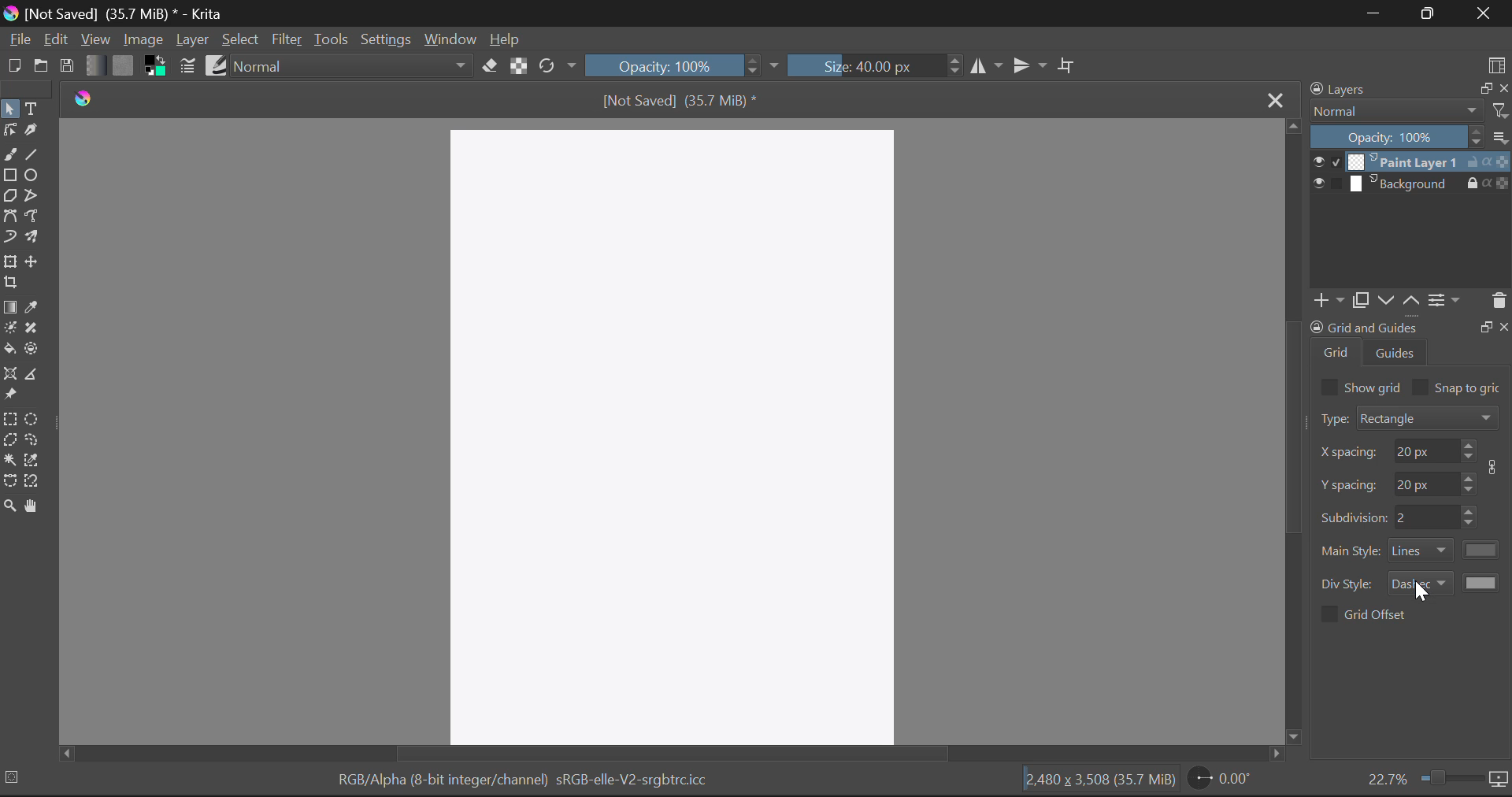 Image resolution: width=1512 pixels, height=797 pixels. I want to click on copy, so click(1359, 300).